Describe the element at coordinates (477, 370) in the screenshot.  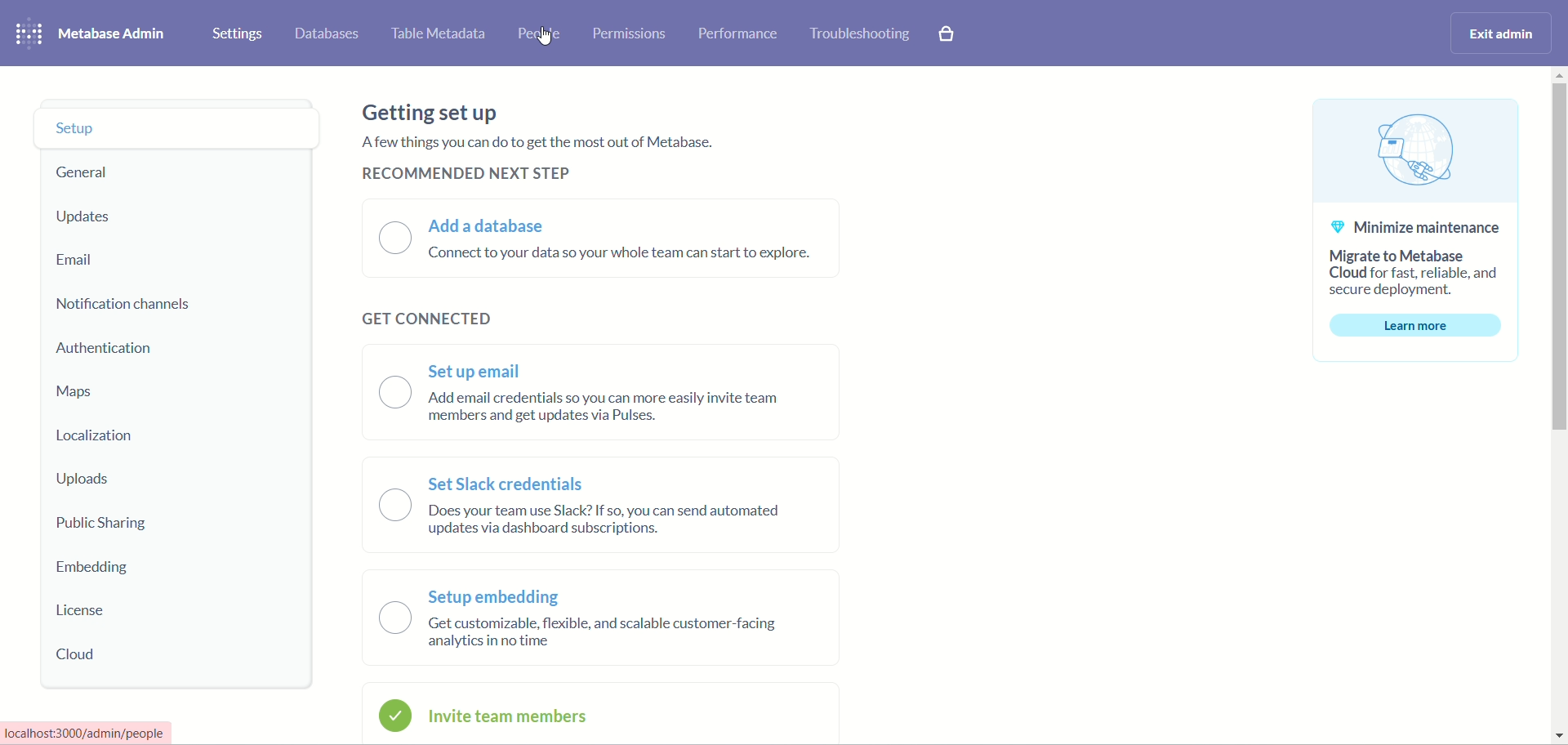
I see `set up email` at that location.